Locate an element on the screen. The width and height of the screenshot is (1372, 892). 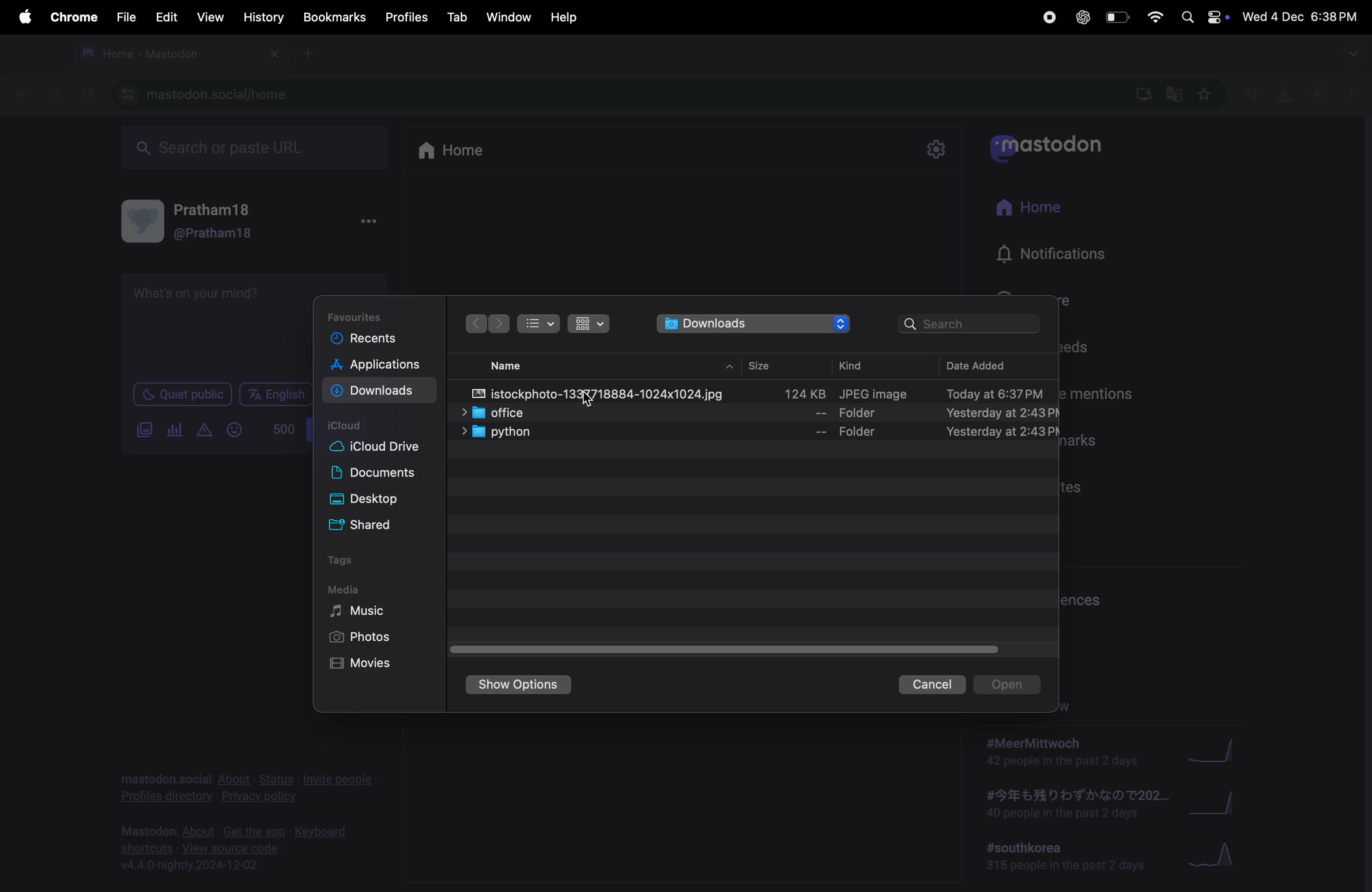
file is located at coordinates (125, 14).